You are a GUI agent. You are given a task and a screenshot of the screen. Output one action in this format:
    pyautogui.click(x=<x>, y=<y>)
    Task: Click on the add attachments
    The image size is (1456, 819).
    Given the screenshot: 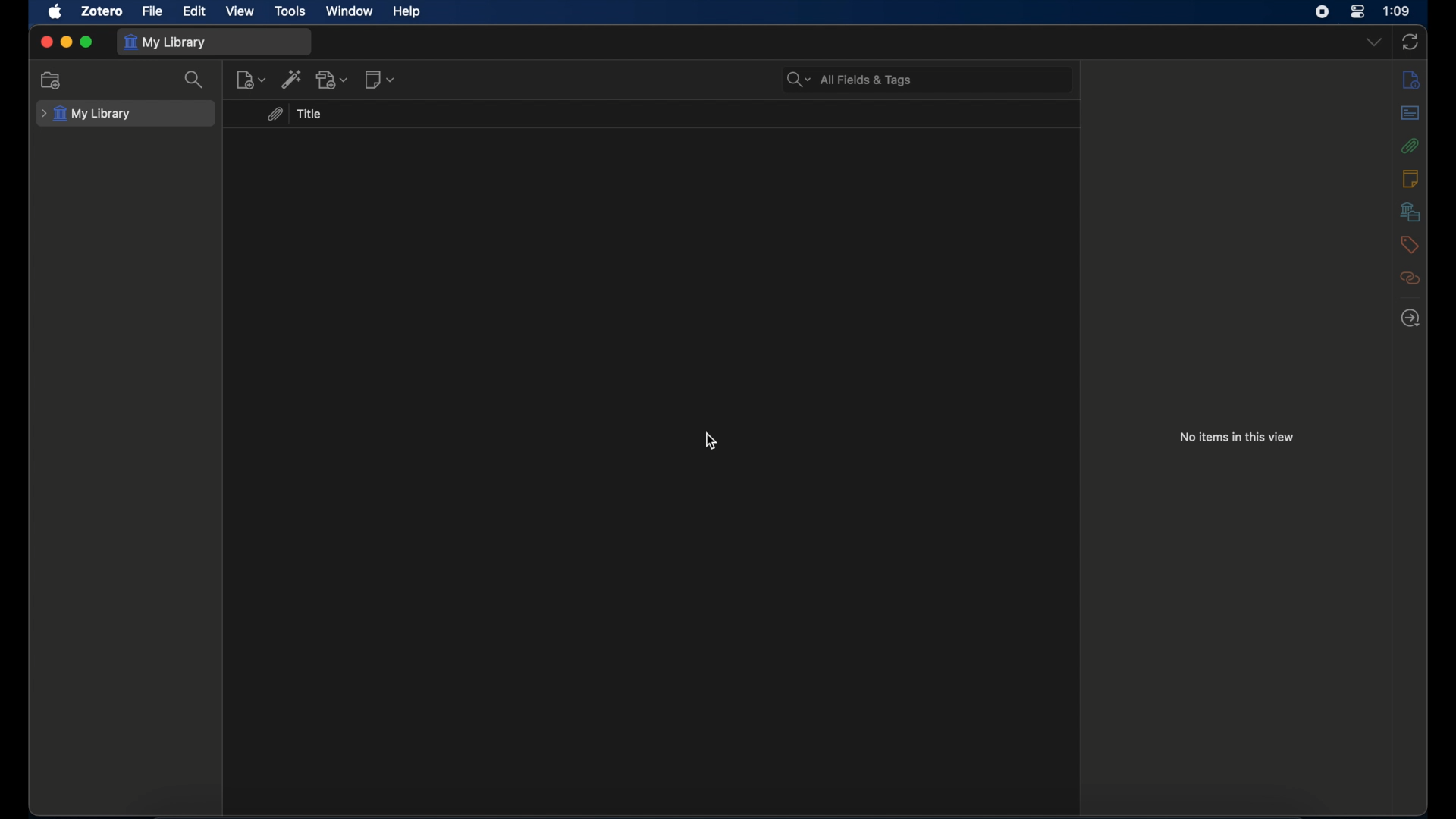 What is the action you would take?
    pyautogui.click(x=332, y=79)
    